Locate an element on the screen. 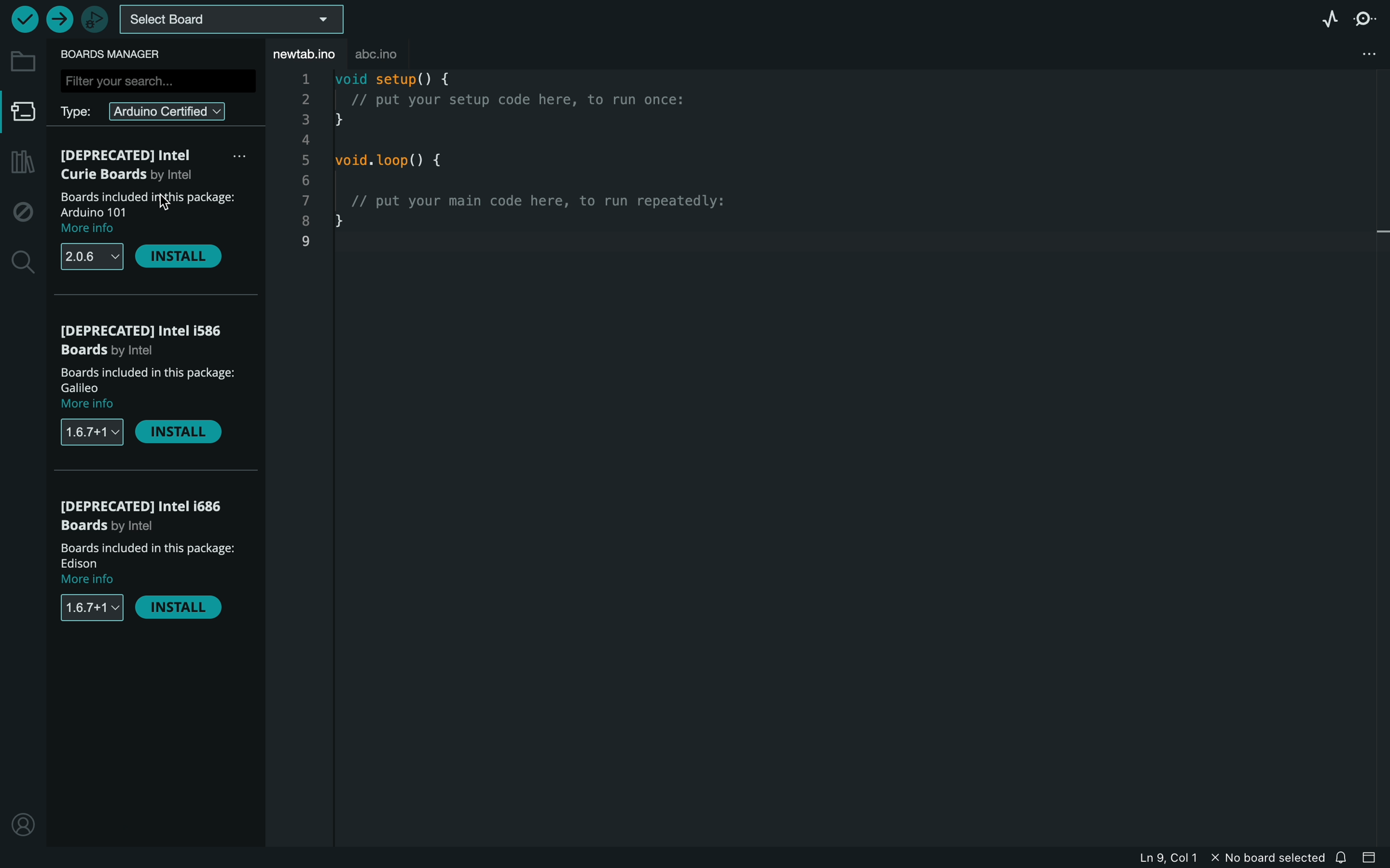 The height and width of the screenshot is (868, 1390). cursor is located at coordinates (155, 205).